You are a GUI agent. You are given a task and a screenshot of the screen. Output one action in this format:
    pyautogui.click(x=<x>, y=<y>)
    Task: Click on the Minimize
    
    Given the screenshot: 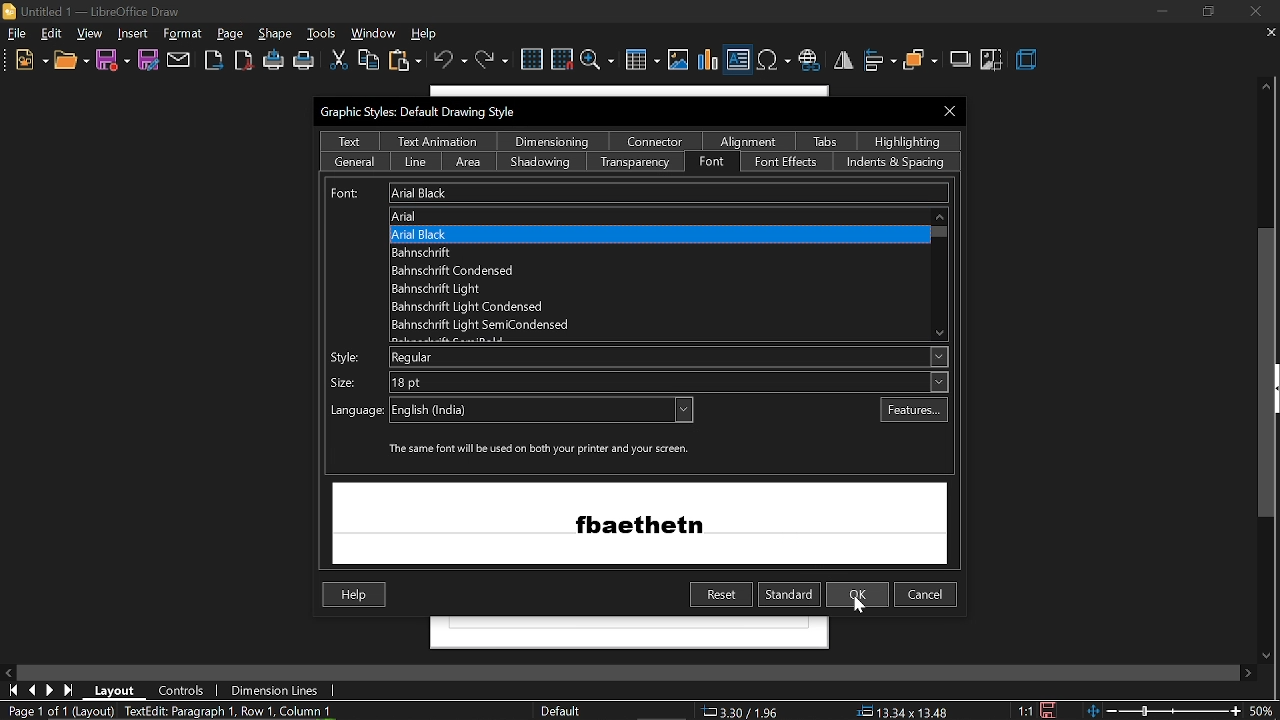 What is the action you would take?
    pyautogui.click(x=1161, y=12)
    